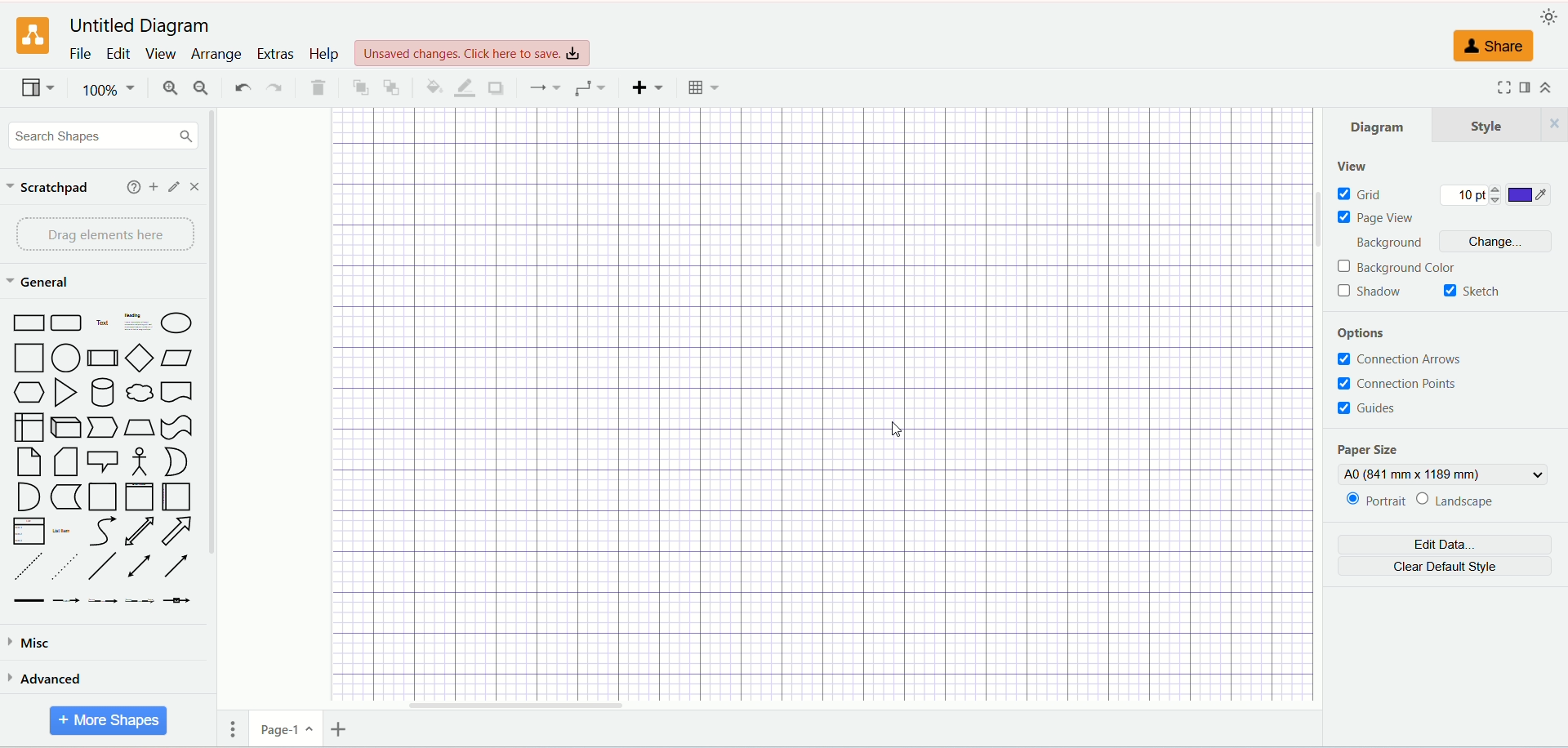 The height and width of the screenshot is (748, 1568). Describe the element at coordinates (177, 567) in the screenshot. I see `Directional Connector` at that location.